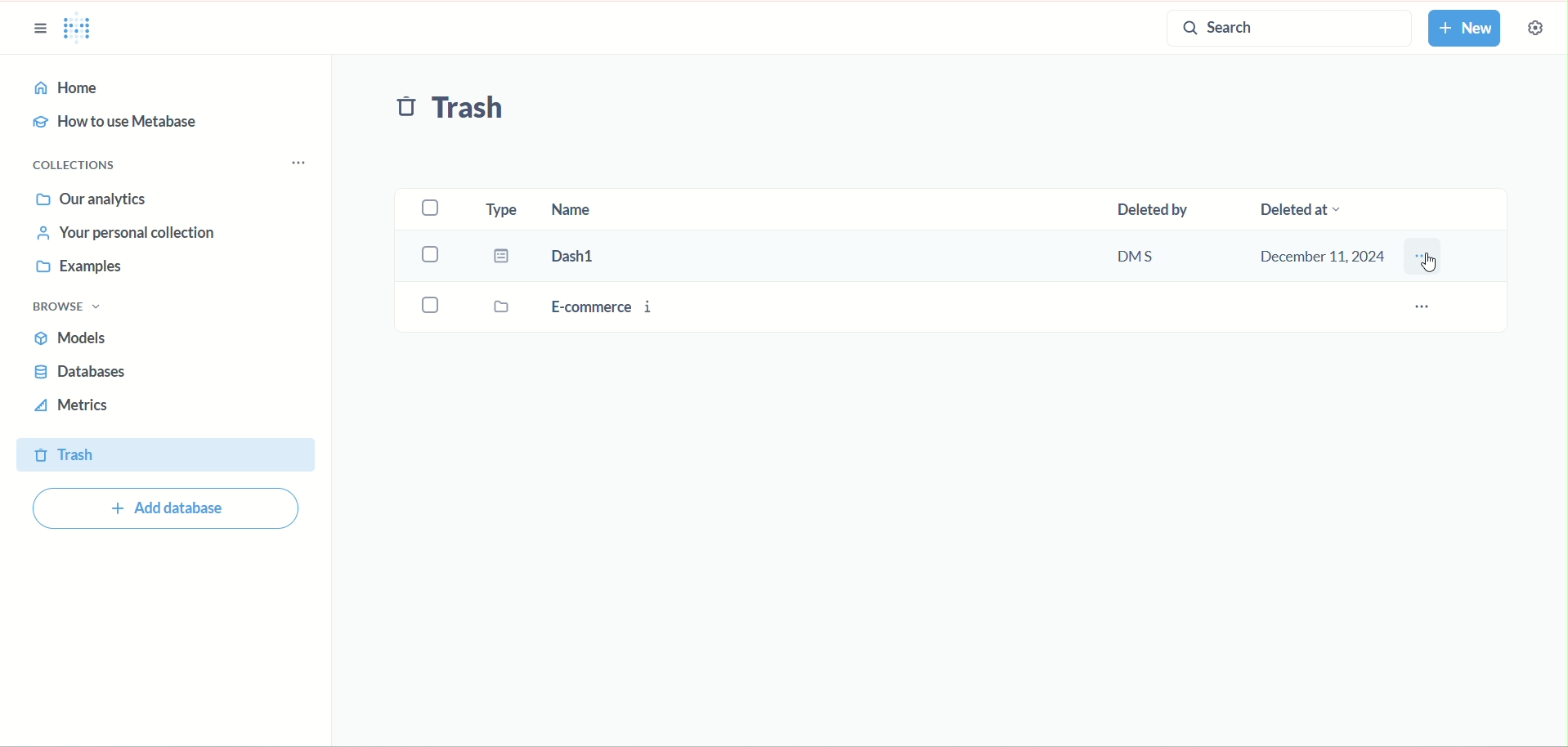 The height and width of the screenshot is (747, 1568). What do you see at coordinates (164, 454) in the screenshot?
I see `trash` at bounding box center [164, 454].